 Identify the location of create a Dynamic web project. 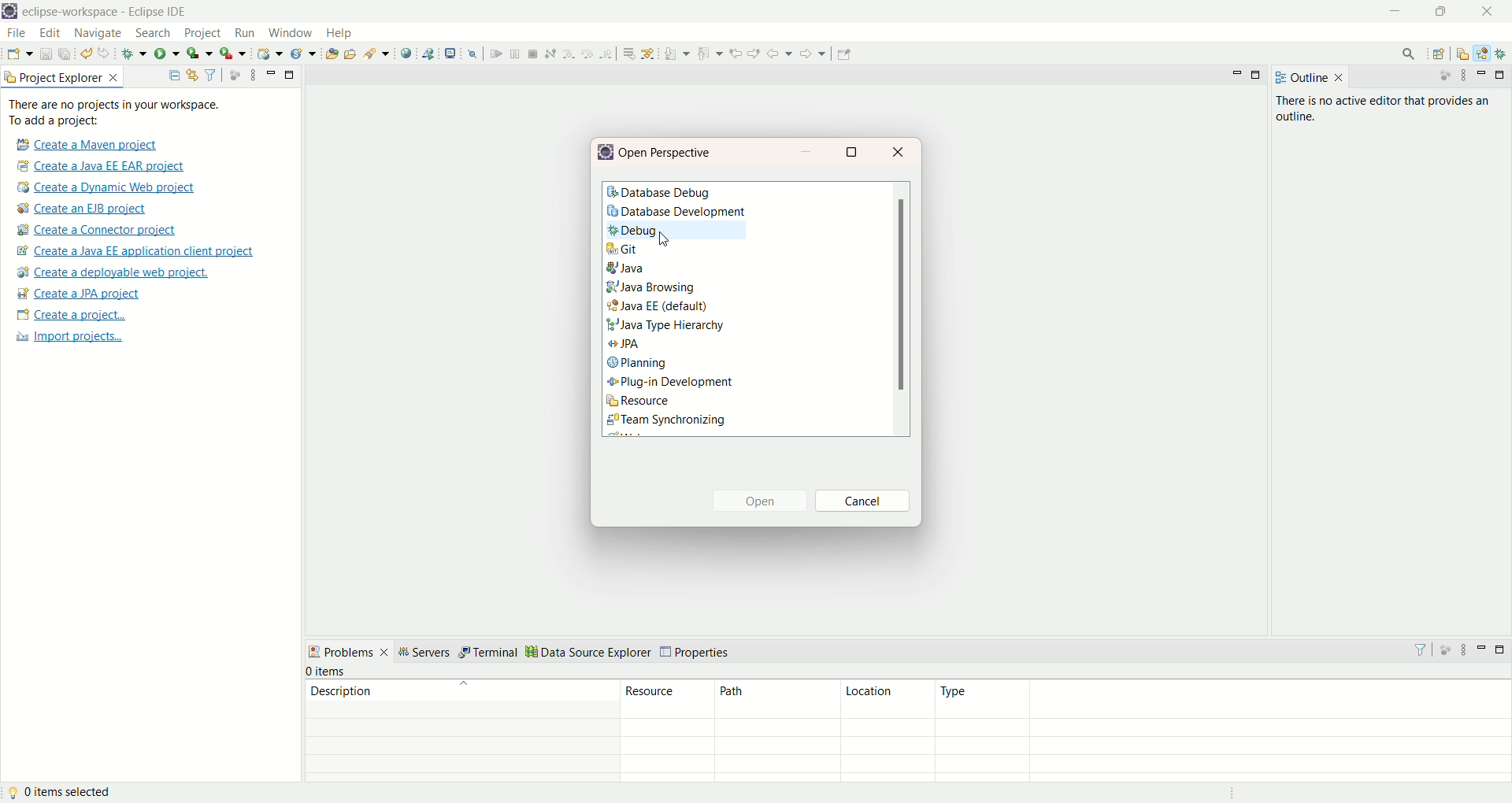
(106, 187).